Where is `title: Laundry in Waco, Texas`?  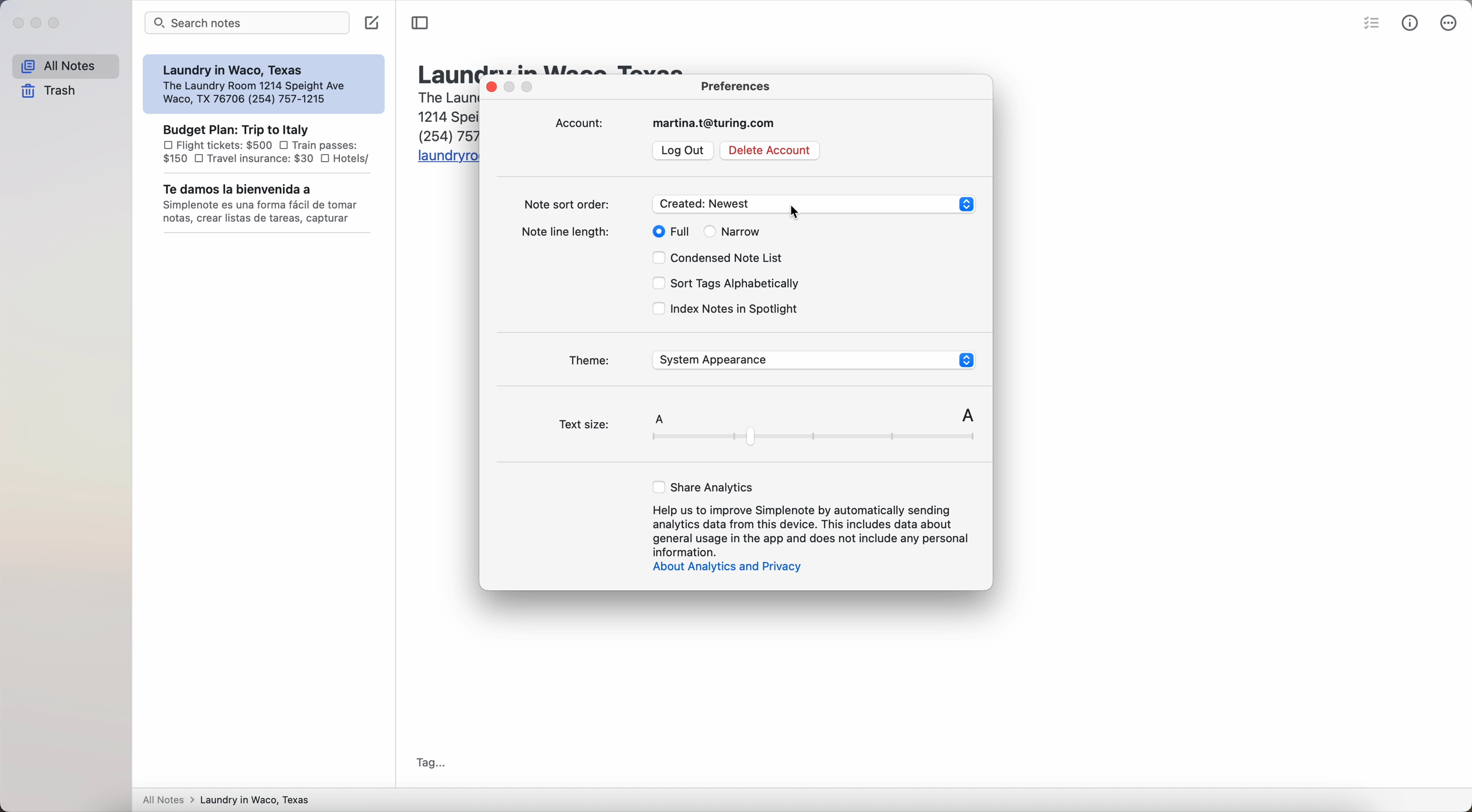 title: Laundry in Waco, Texas is located at coordinates (445, 71).